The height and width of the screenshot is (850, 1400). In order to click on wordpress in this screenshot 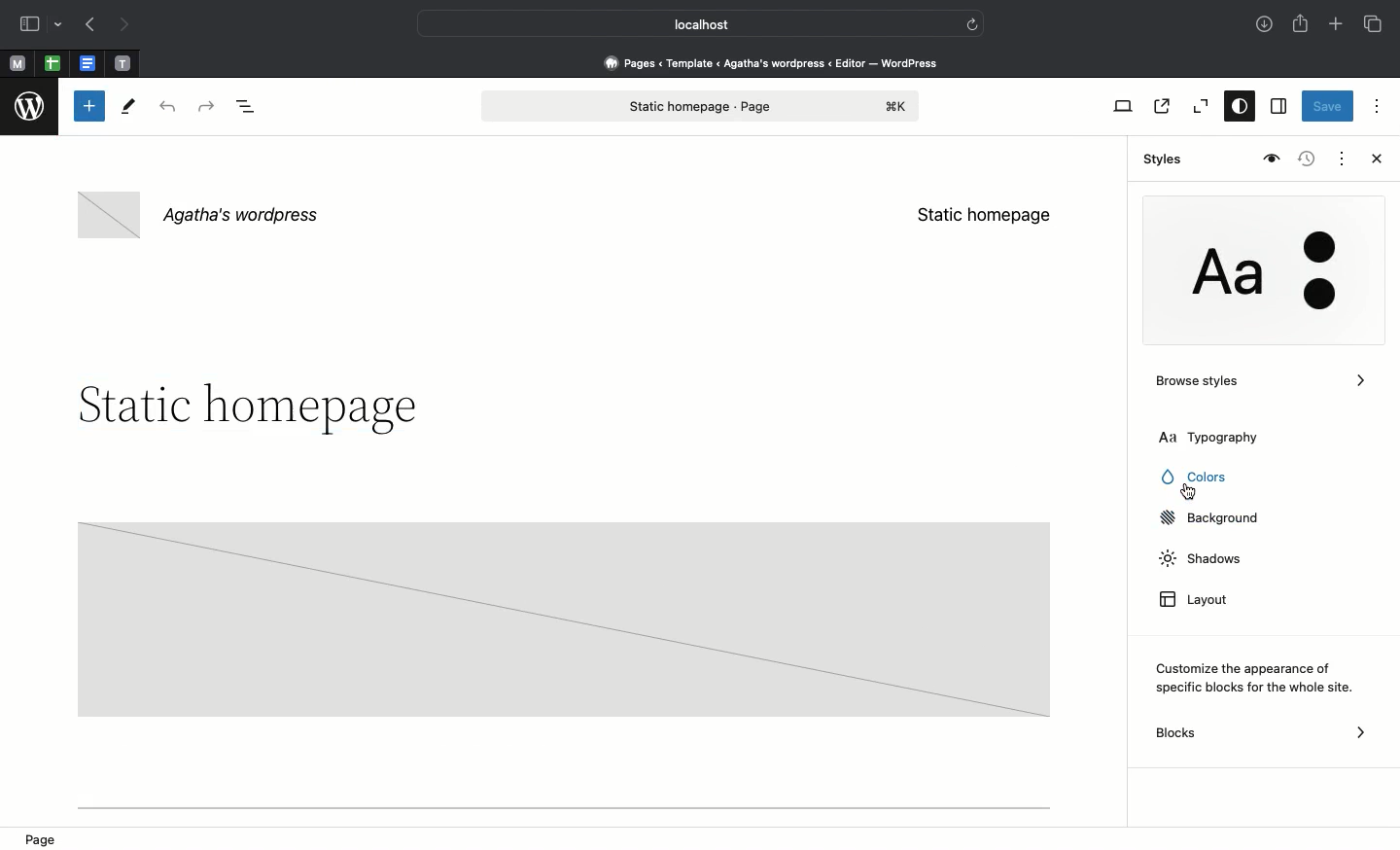, I will do `click(30, 107)`.